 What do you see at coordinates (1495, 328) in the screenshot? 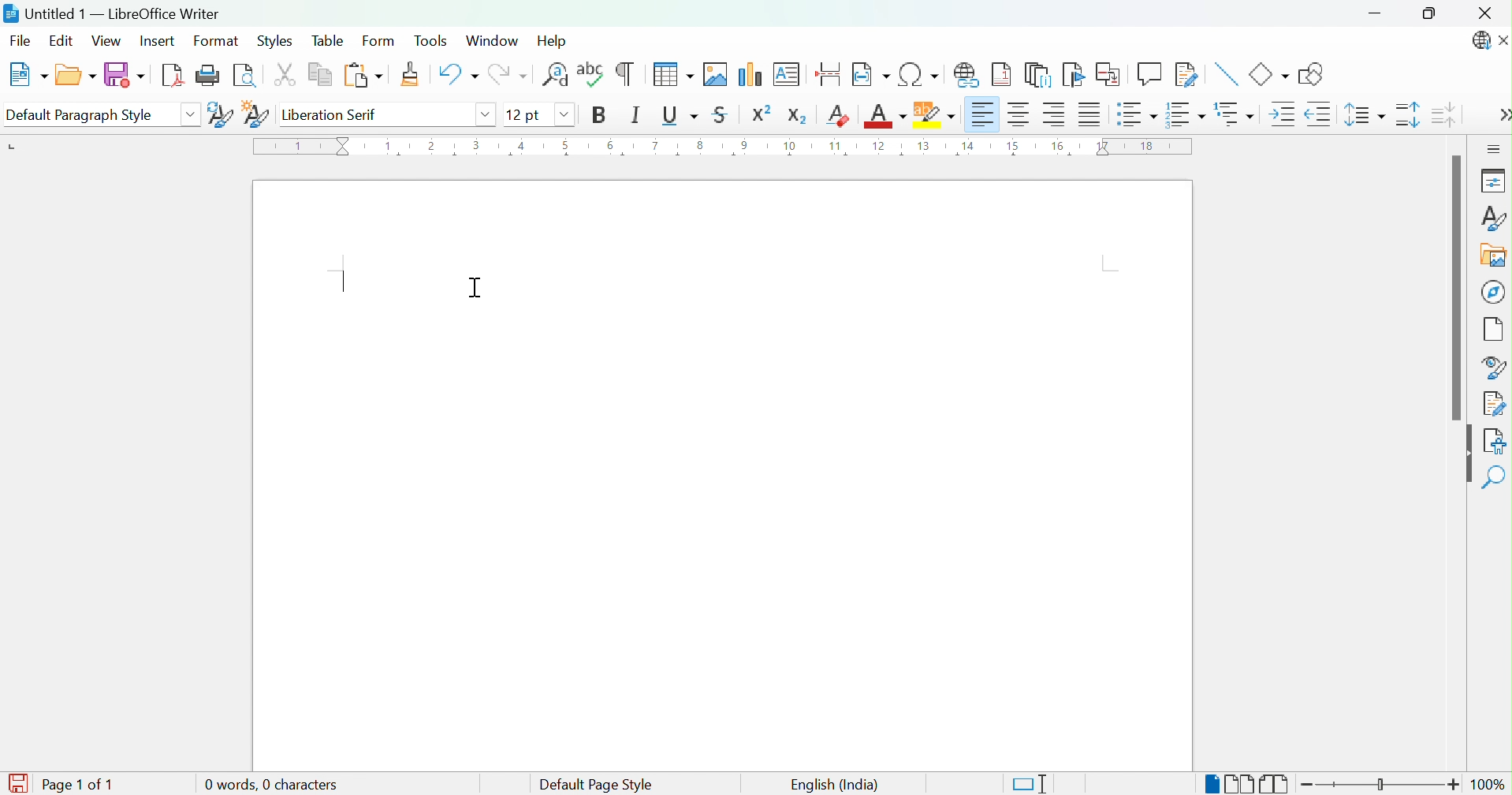
I see `Page` at bounding box center [1495, 328].